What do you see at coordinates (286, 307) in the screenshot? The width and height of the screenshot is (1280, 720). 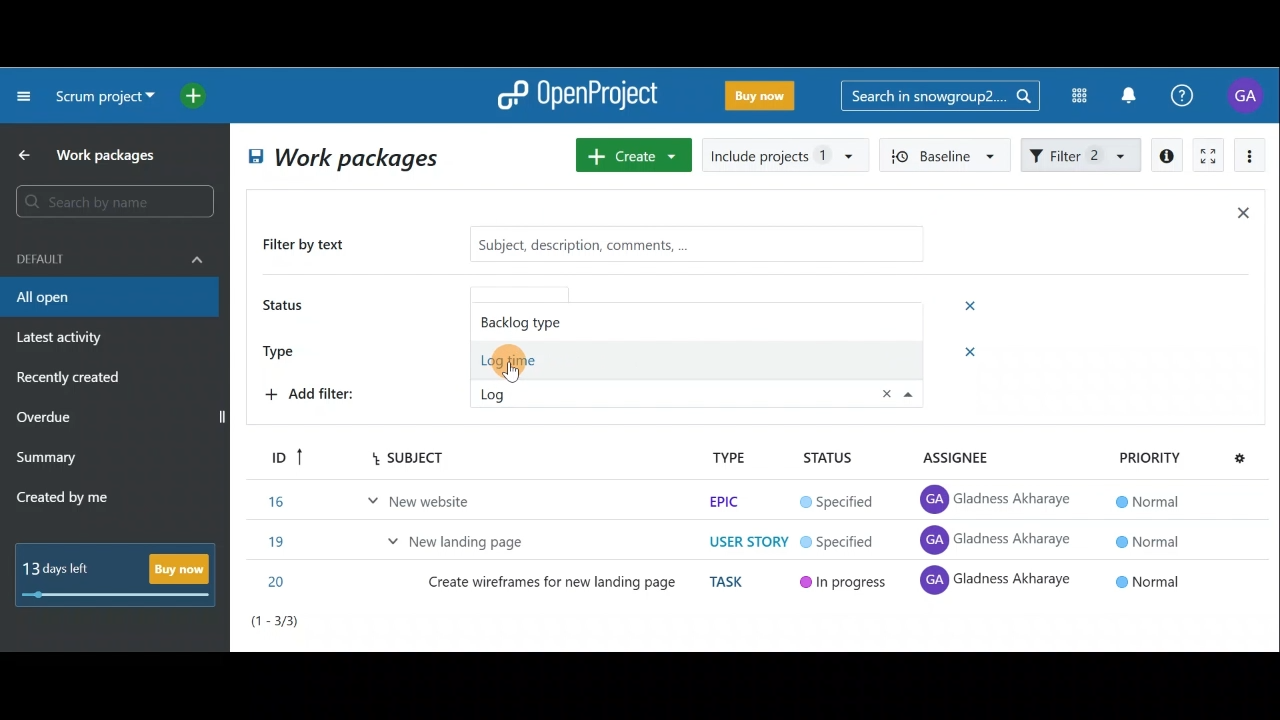 I see `Status` at bounding box center [286, 307].